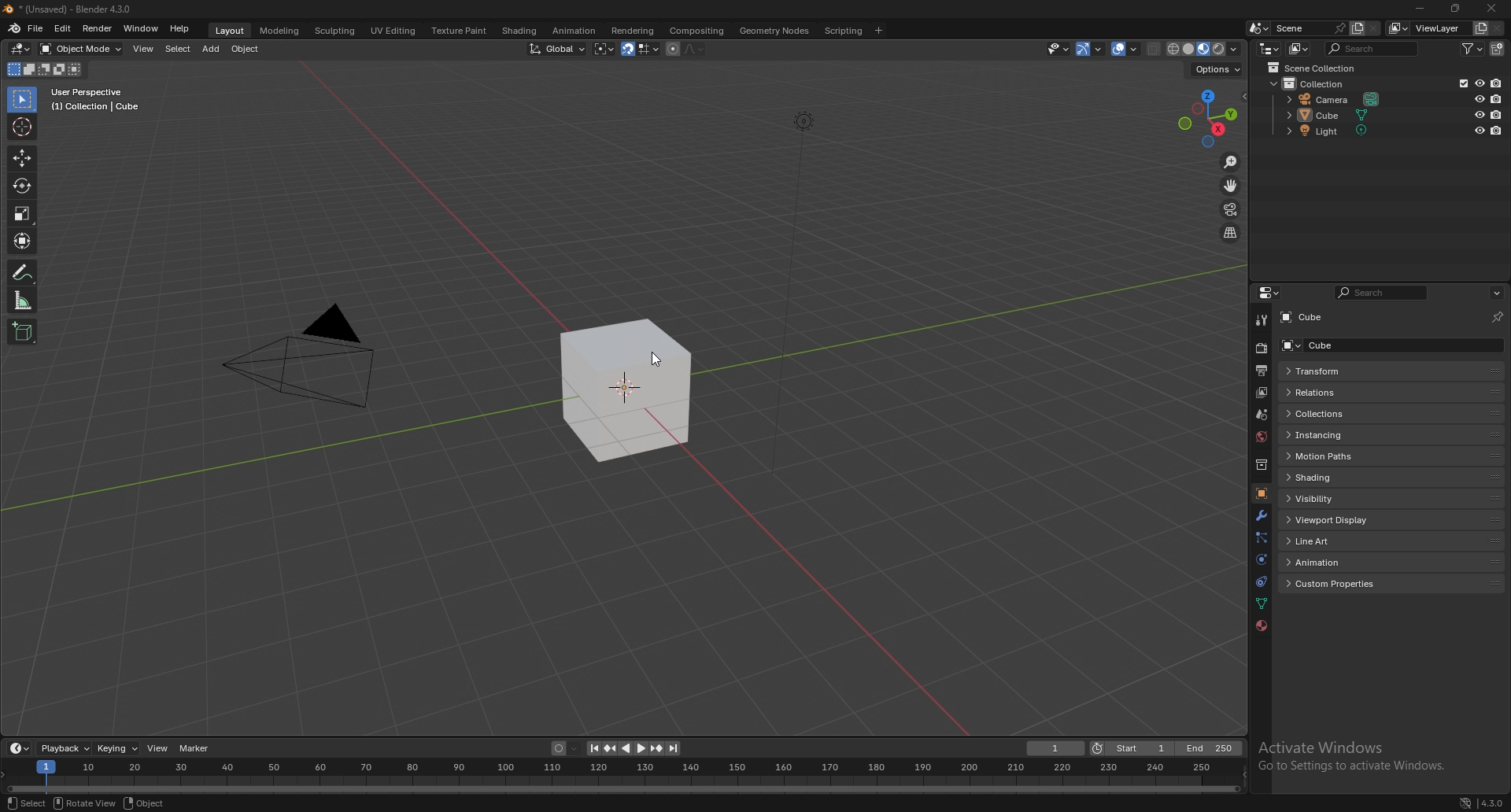 This screenshot has height=812, width=1511. I want to click on disable in renders, so click(1498, 114).